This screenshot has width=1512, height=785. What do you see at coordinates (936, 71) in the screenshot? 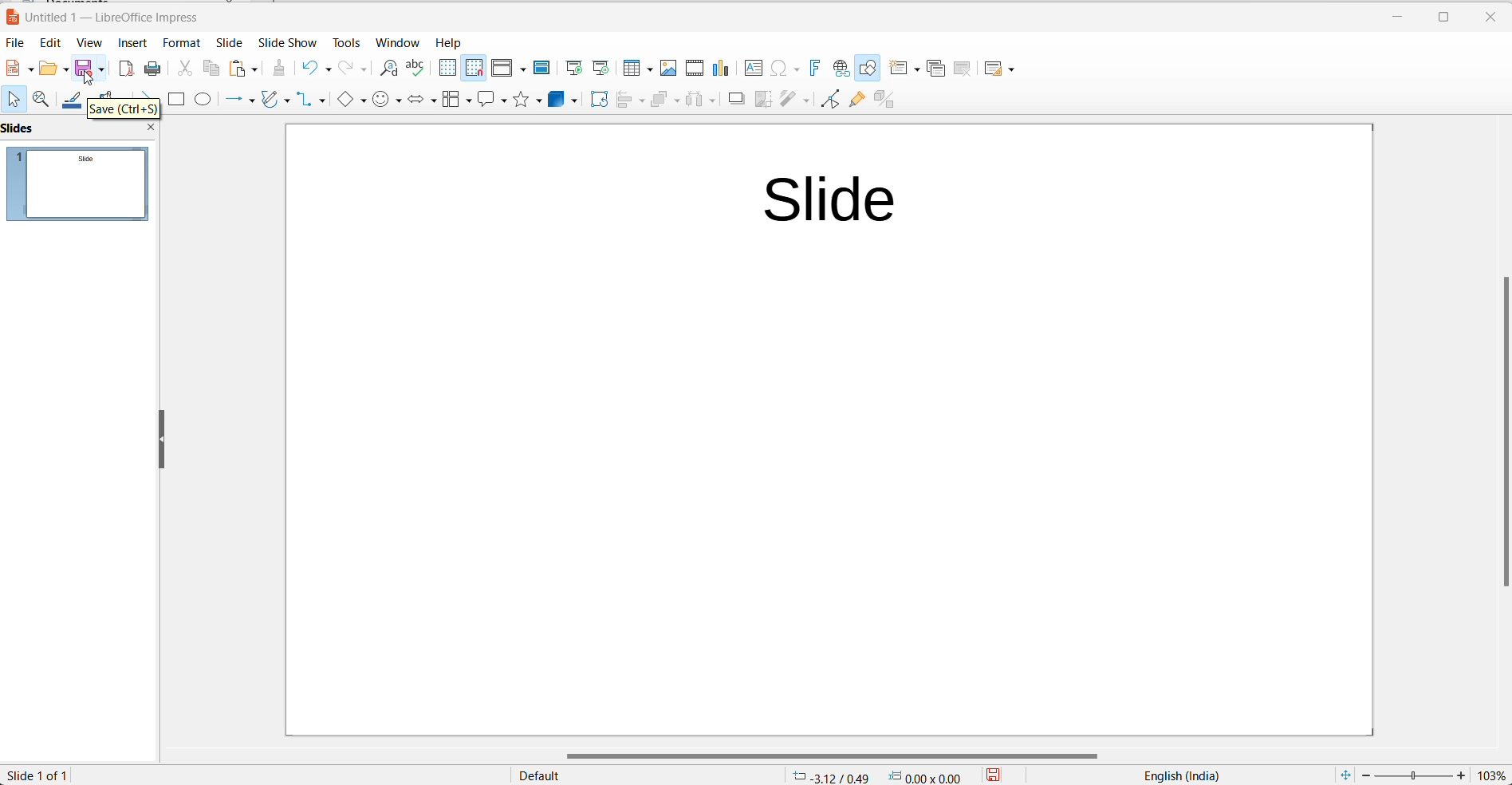
I see `duplicate slide` at bounding box center [936, 71].